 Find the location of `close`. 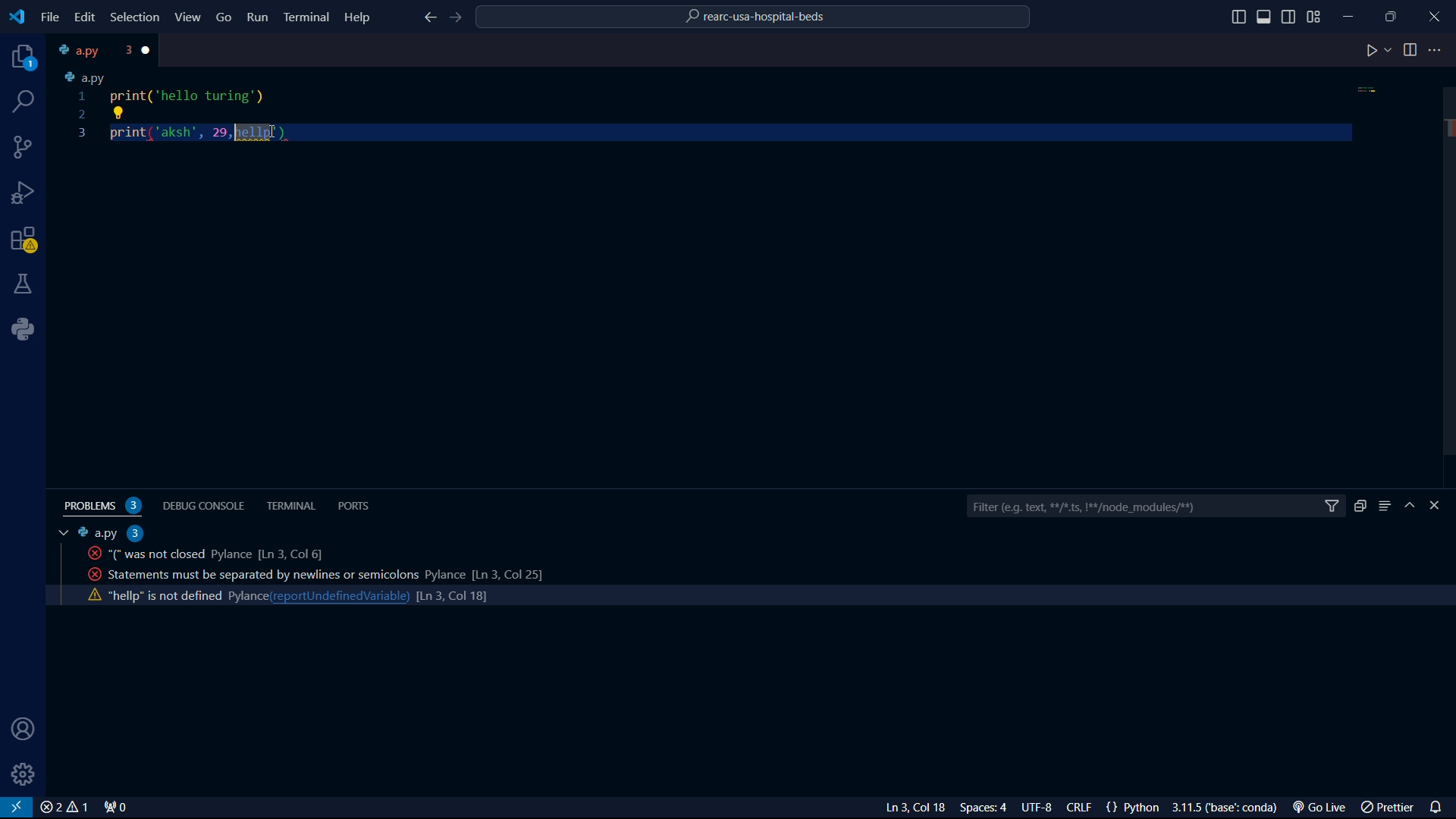

close is located at coordinates (149, 50).